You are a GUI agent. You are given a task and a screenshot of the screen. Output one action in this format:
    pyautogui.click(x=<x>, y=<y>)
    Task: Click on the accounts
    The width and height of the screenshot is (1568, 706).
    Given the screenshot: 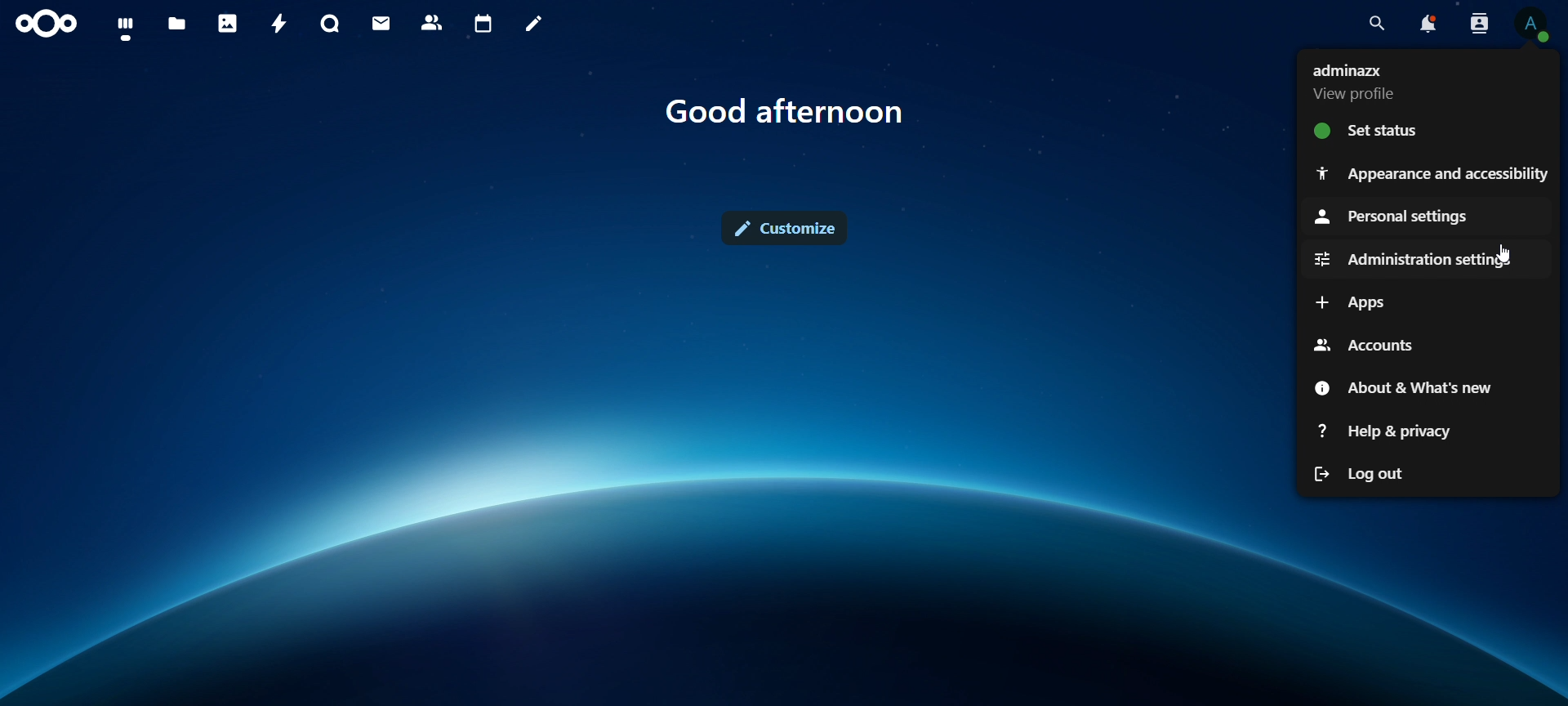 What is the action you would take?
    pyautogui.click(x=1403, y=346)
    